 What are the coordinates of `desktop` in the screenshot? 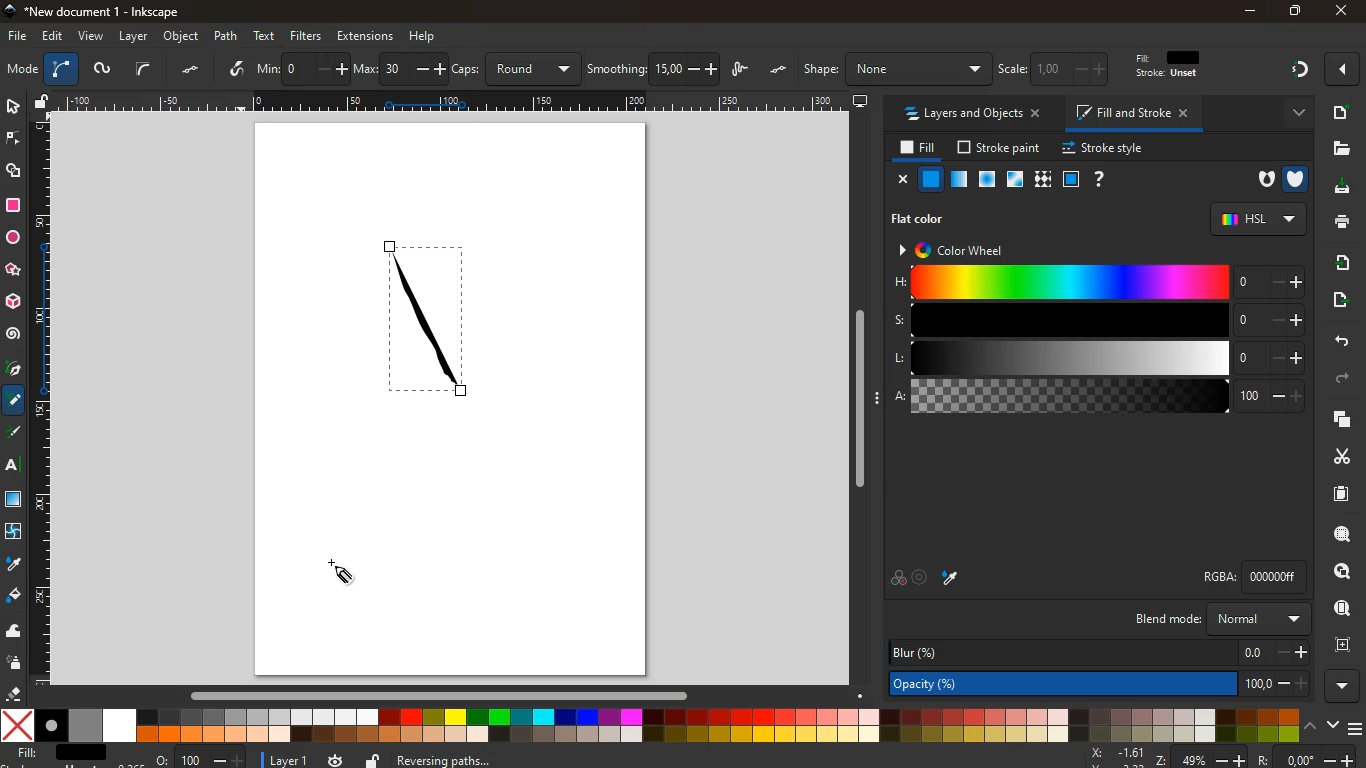 It's located at (861, 102).